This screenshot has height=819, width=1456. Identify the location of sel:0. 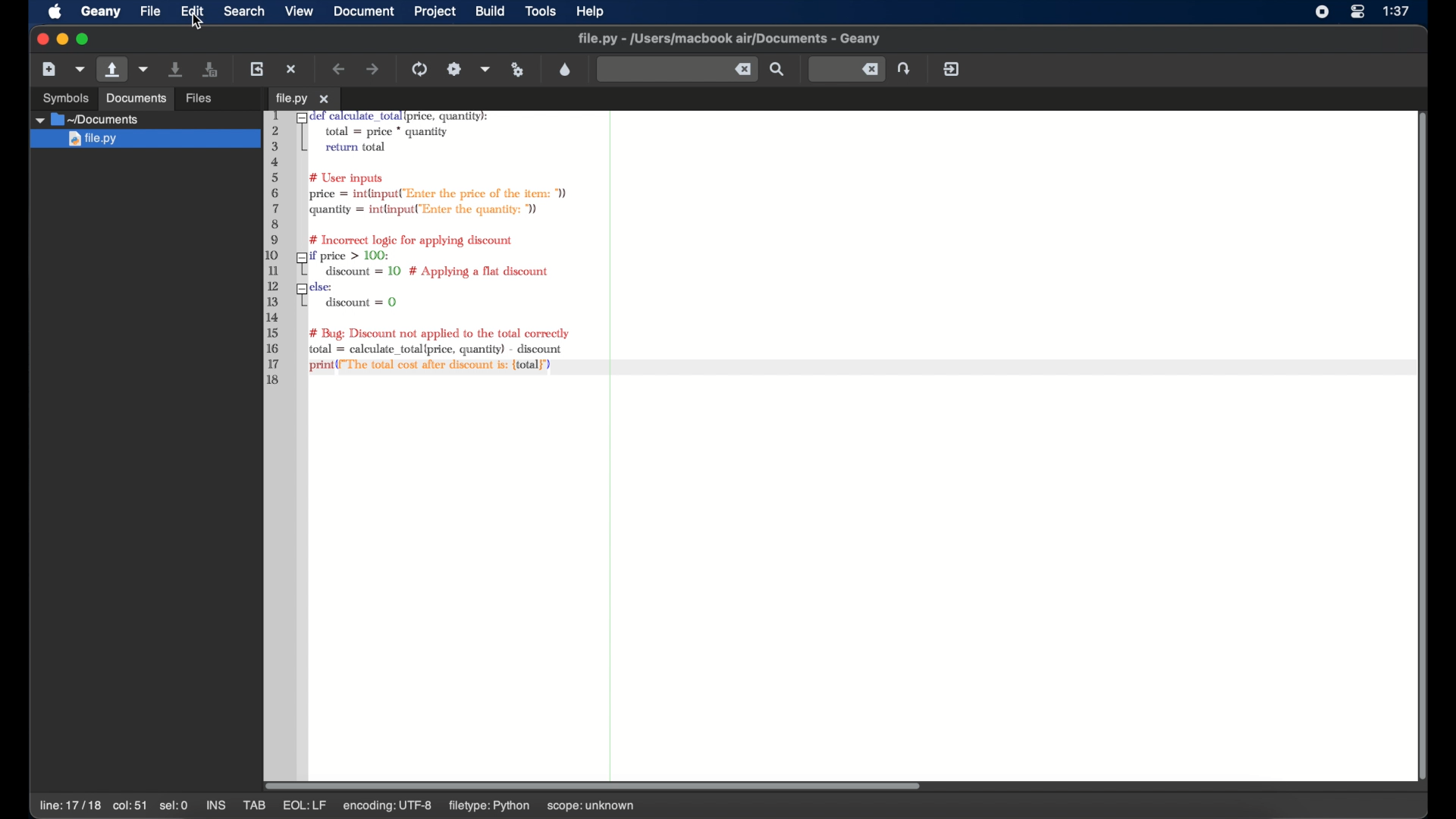
(174, 805).